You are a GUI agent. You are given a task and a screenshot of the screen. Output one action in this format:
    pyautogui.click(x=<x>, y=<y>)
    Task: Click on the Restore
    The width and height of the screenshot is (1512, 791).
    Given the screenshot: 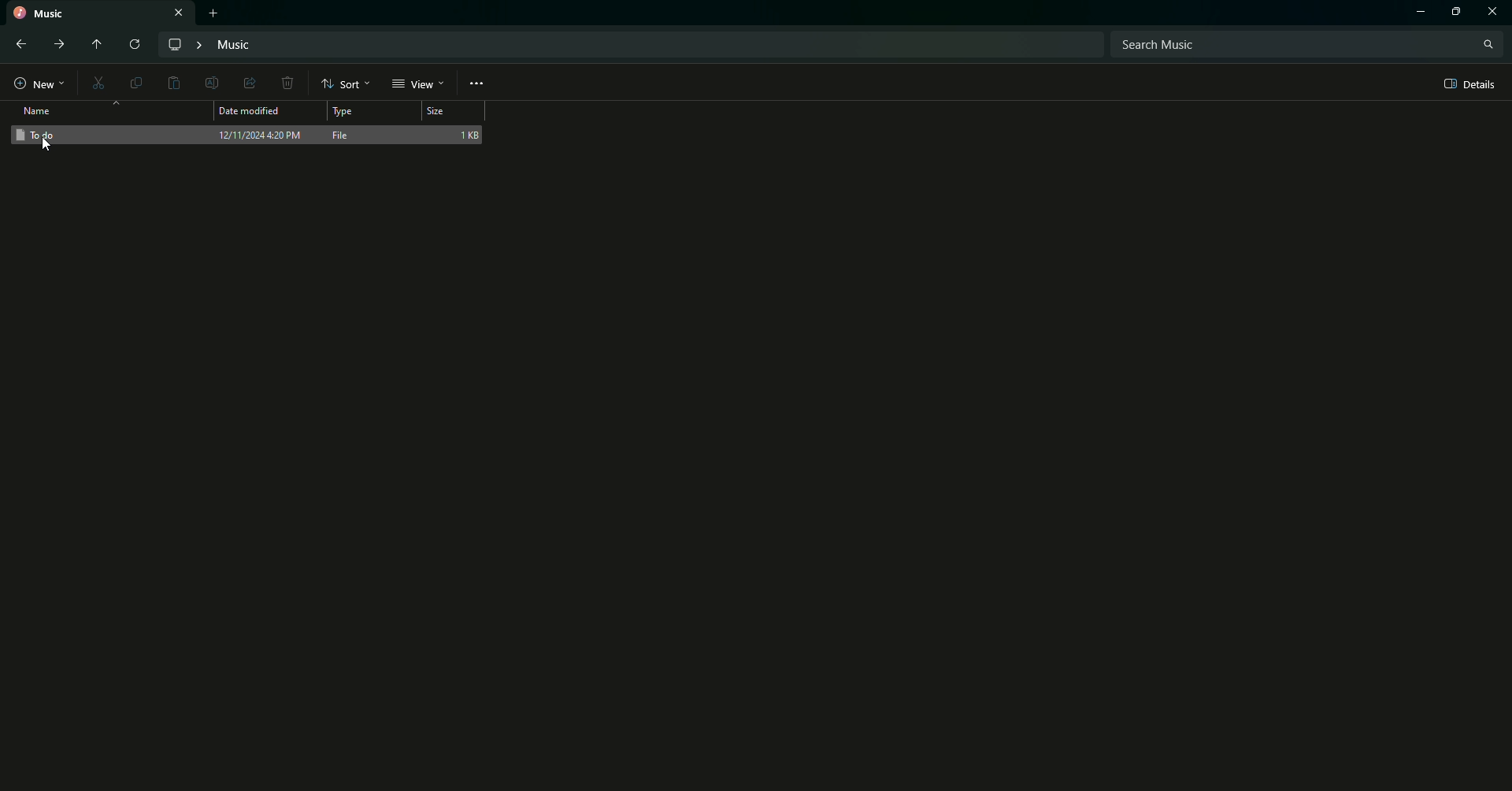 What is the action you would take?
    pyautogui.click(x=1456, y=12)
    